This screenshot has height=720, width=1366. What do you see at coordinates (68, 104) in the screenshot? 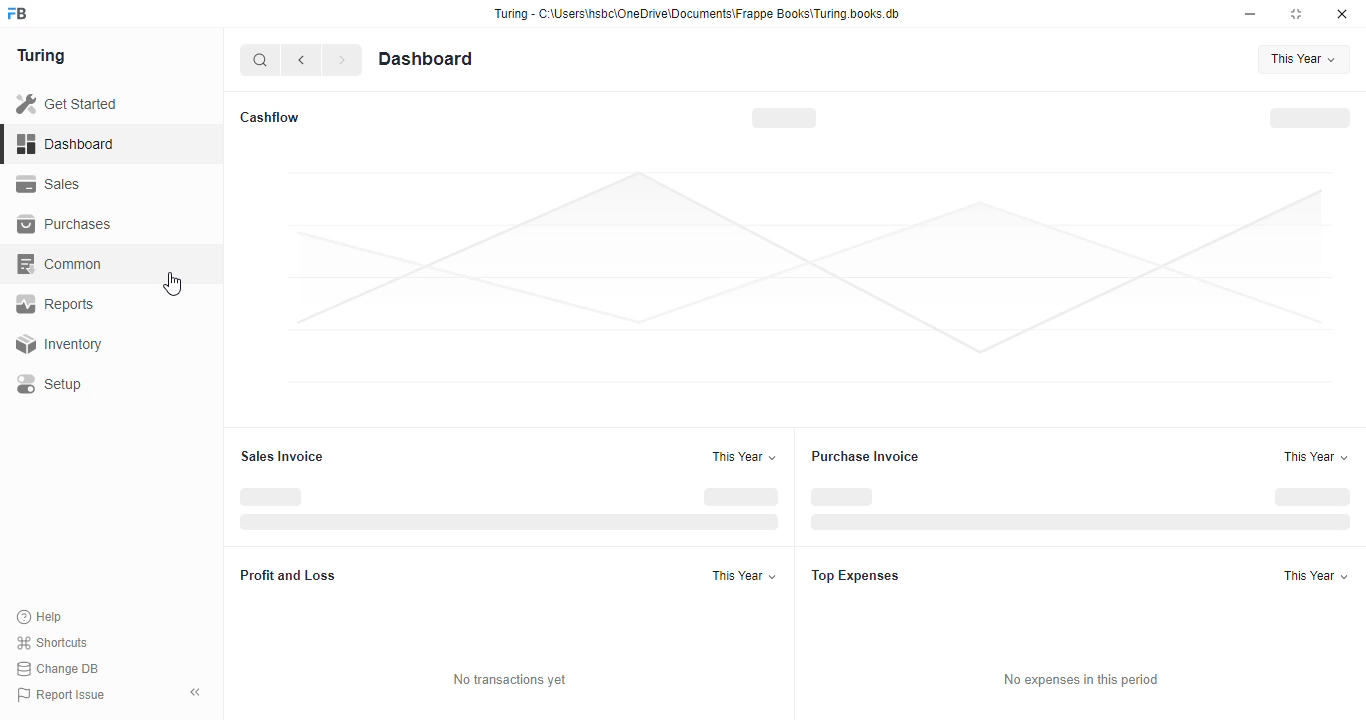
I see `get started` at bounding box center [68, 104].